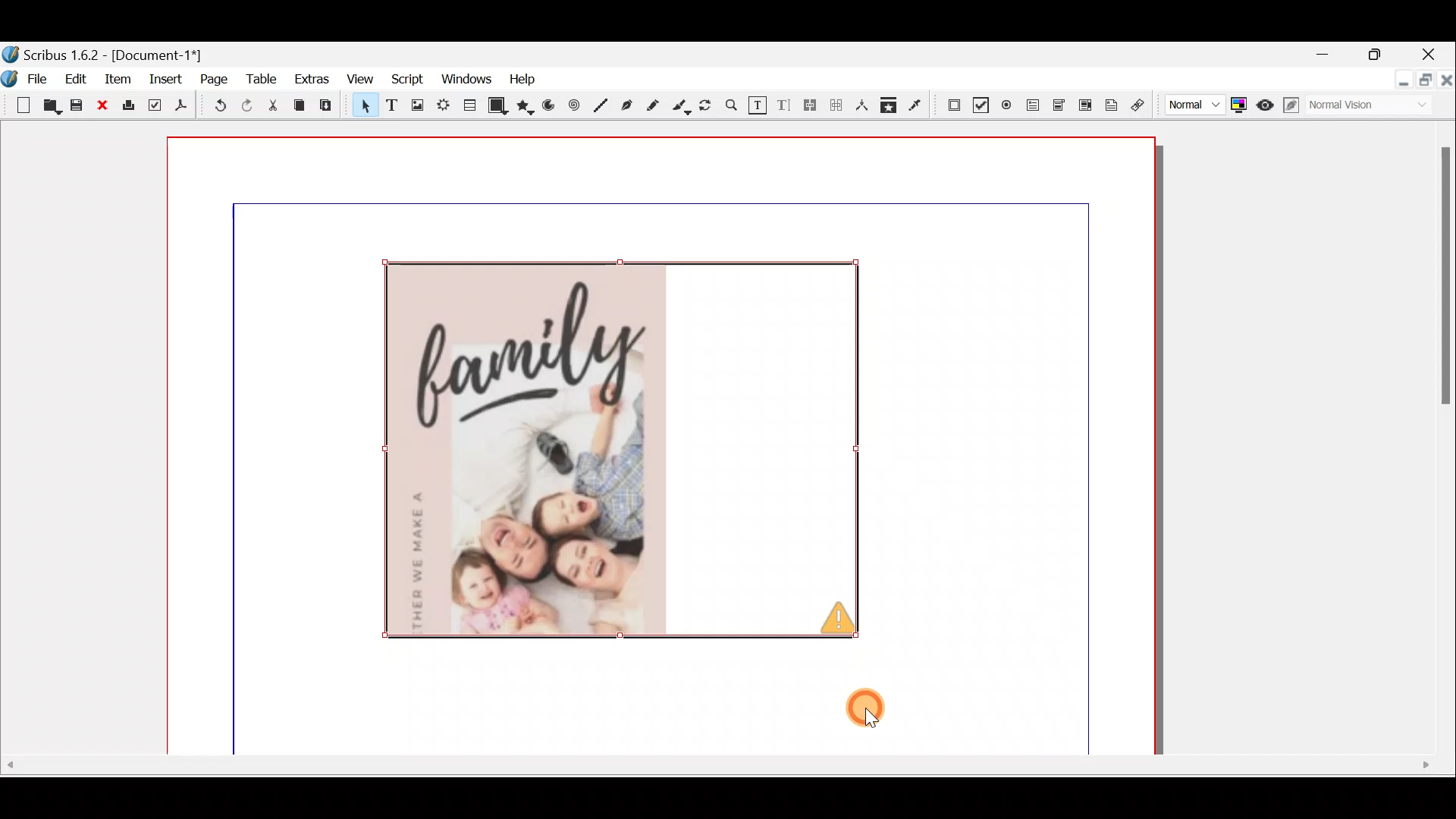 Image resolution: width=1456 pixels, height=819 pixels. I want to click on Maximise, so click(1427, 83).